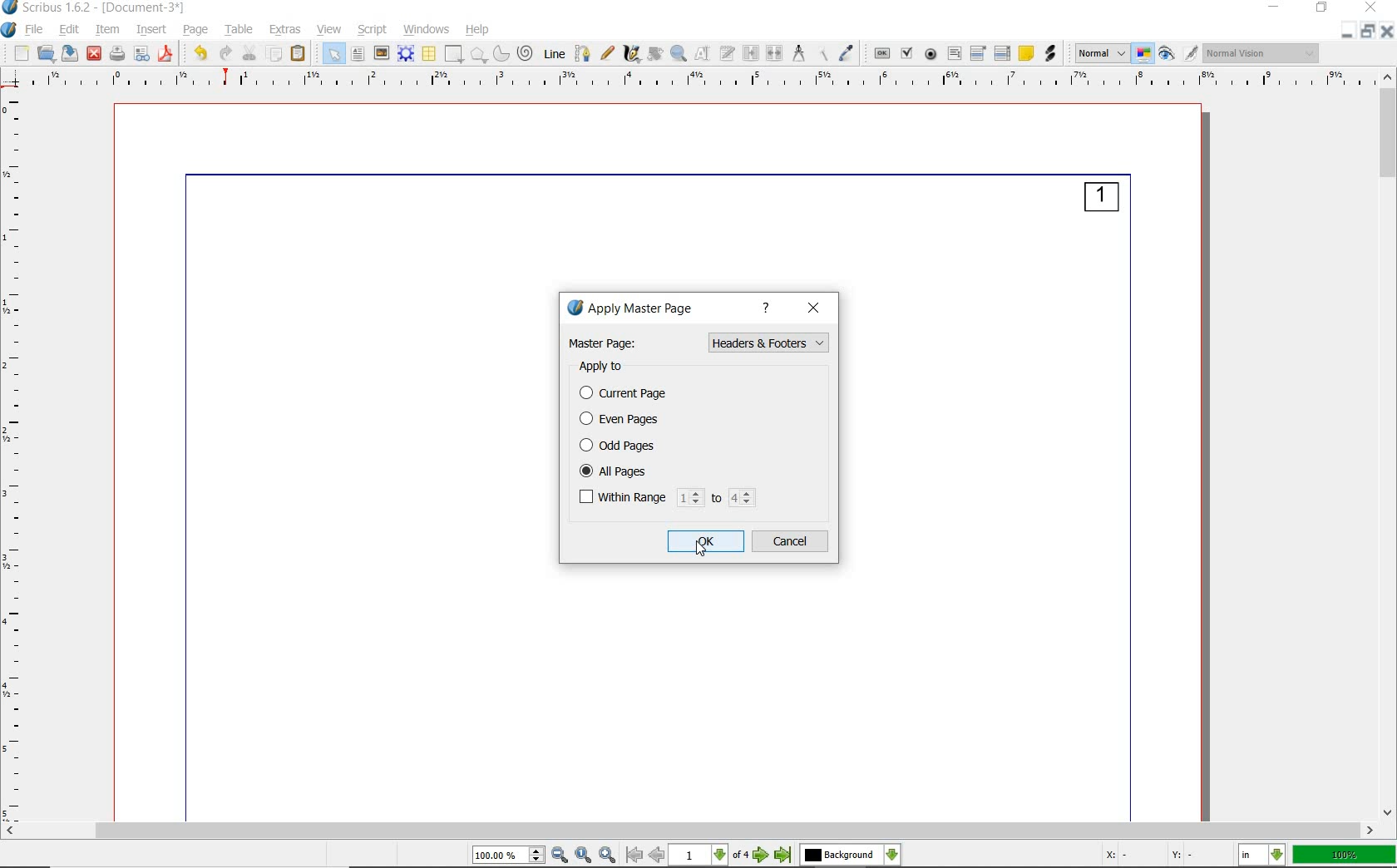 The width and height of the screenshot is (1397, 868). What do you see at coordinates (678, 53) in the screenshot?
I see `zoom in or zoom out` at bounding box center [678, 53].